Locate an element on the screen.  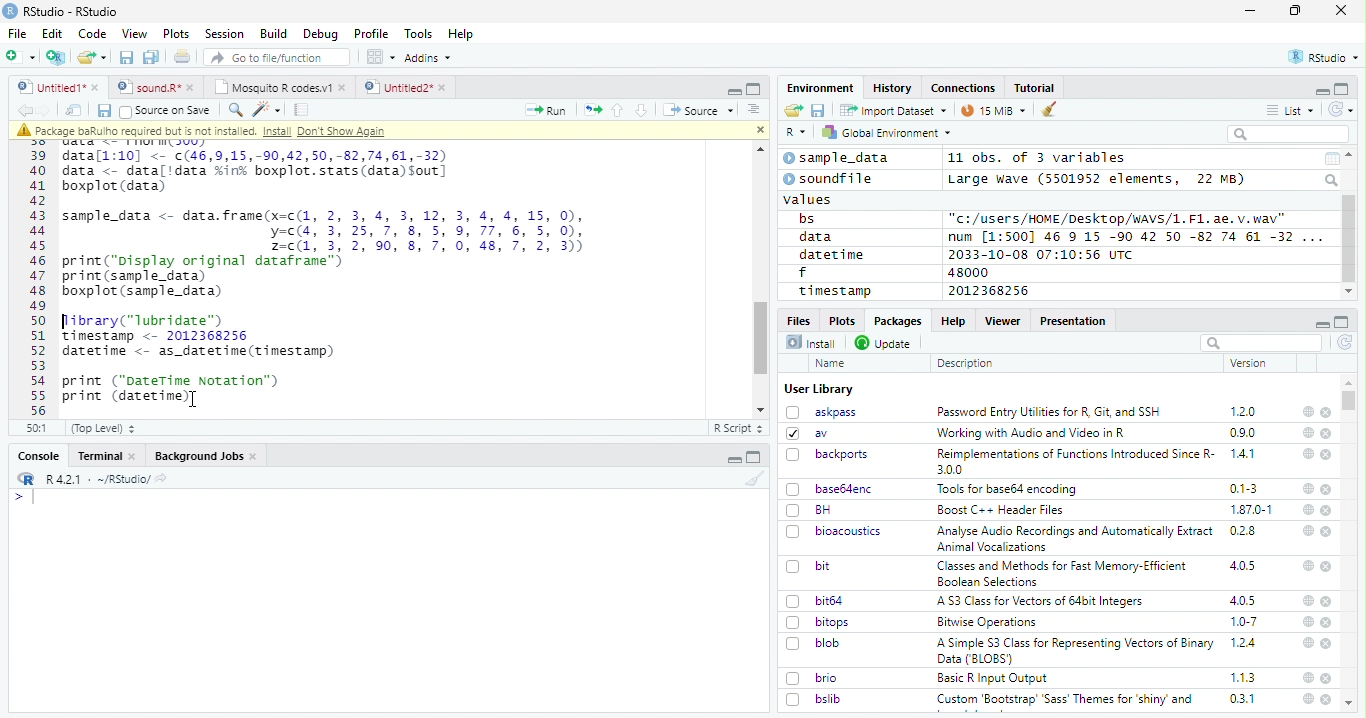
(Classes and Methods for Fast Memory-Efficient
Boolean Selections is located at coordinates (1064, 573).